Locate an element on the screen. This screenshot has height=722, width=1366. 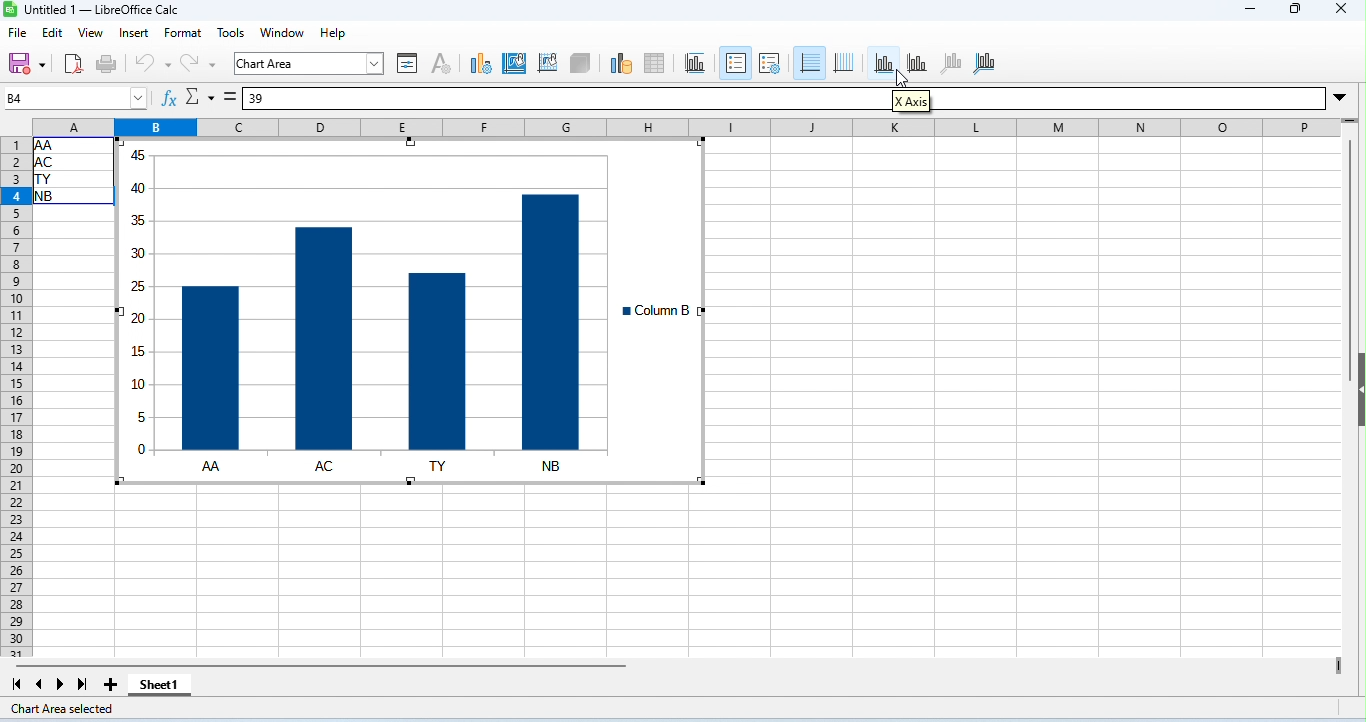
= is located at coordinates (231, 96).